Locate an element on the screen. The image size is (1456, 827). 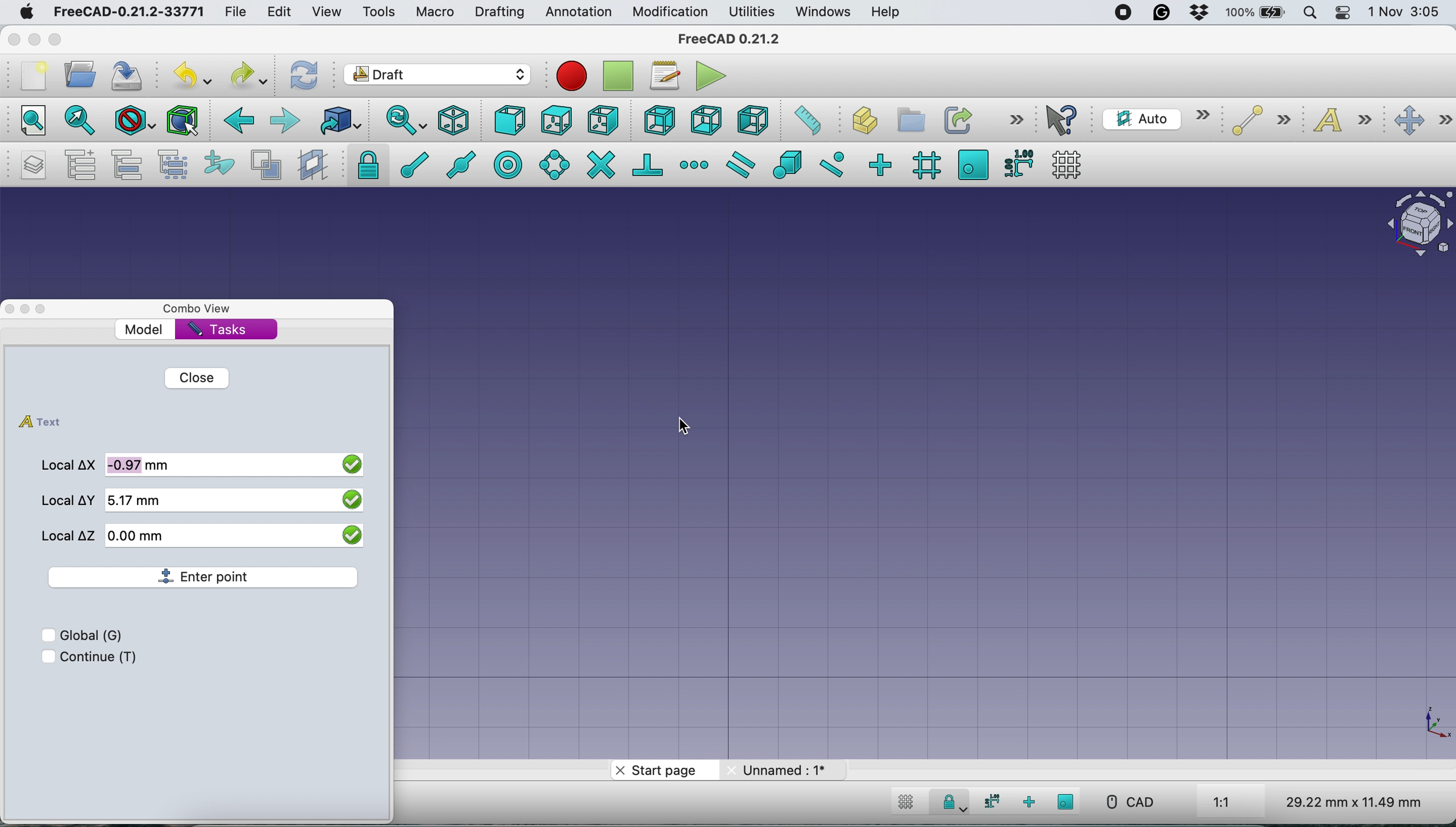
left is located at coordinates (749, 119).